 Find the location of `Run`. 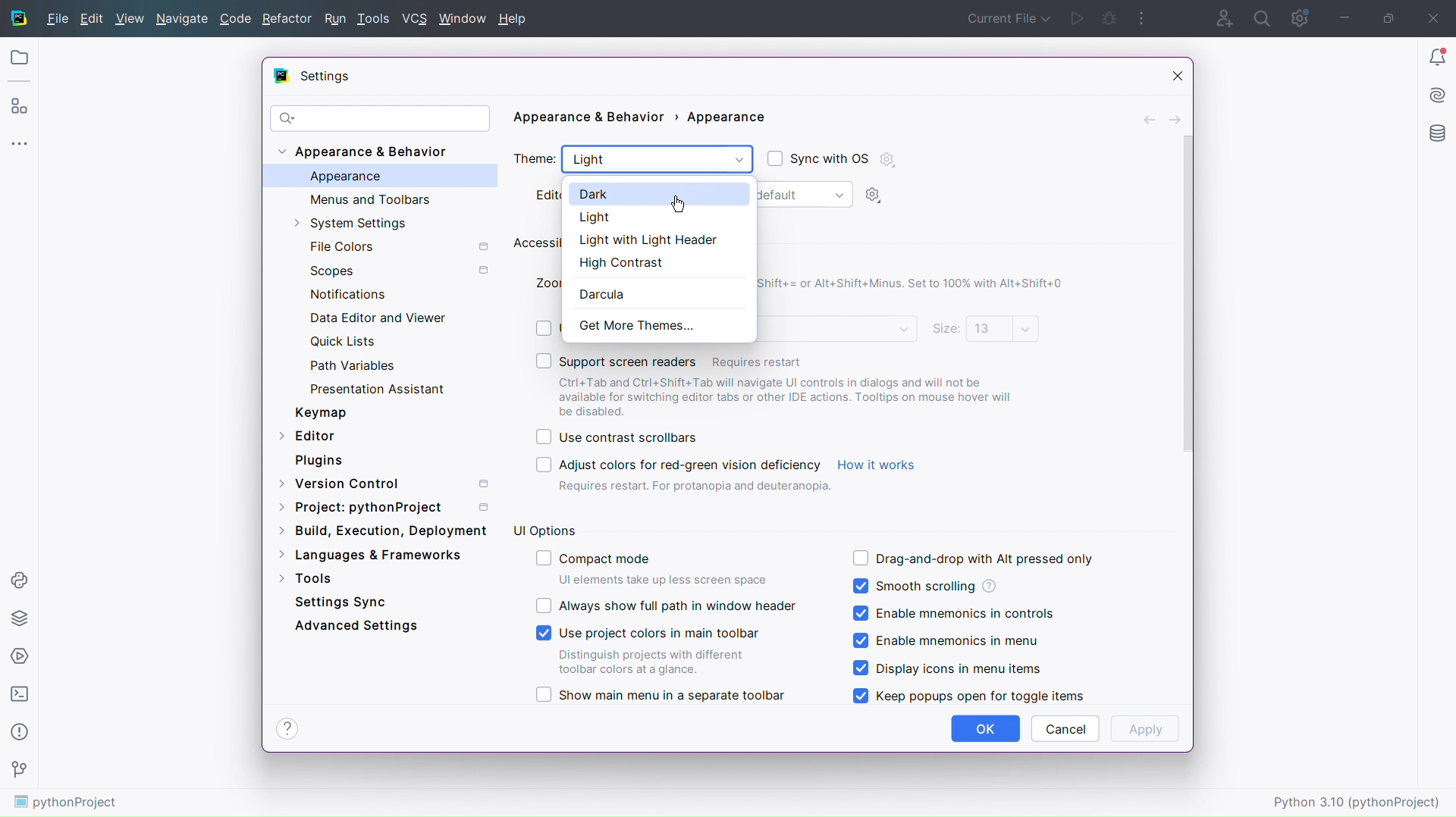

Run is located at coordinates (1079, 18).